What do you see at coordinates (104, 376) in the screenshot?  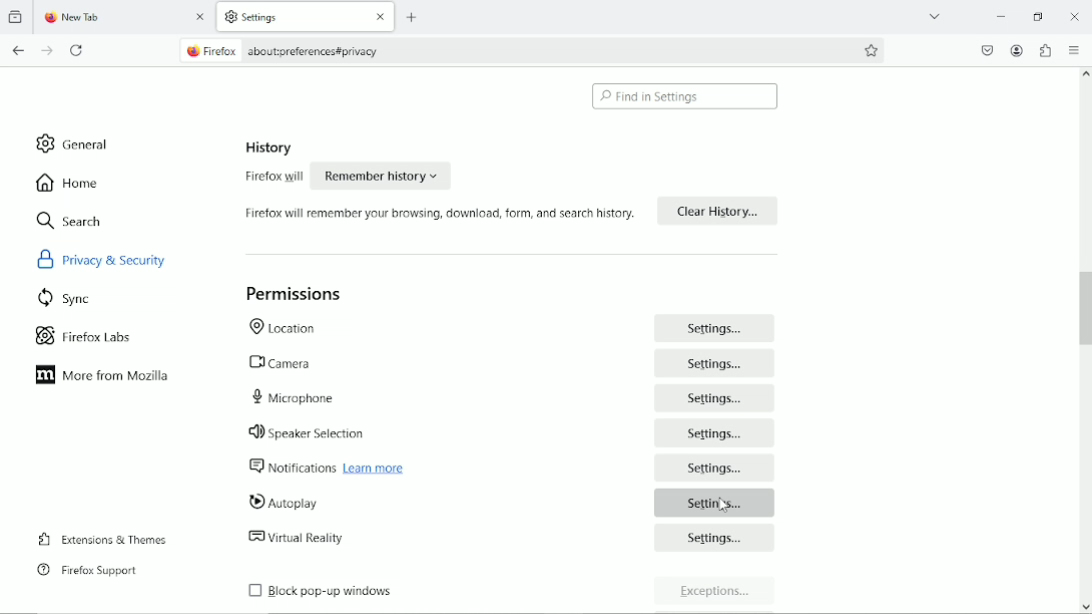 I see `more from mozilla` at bounding box center [104, 376].